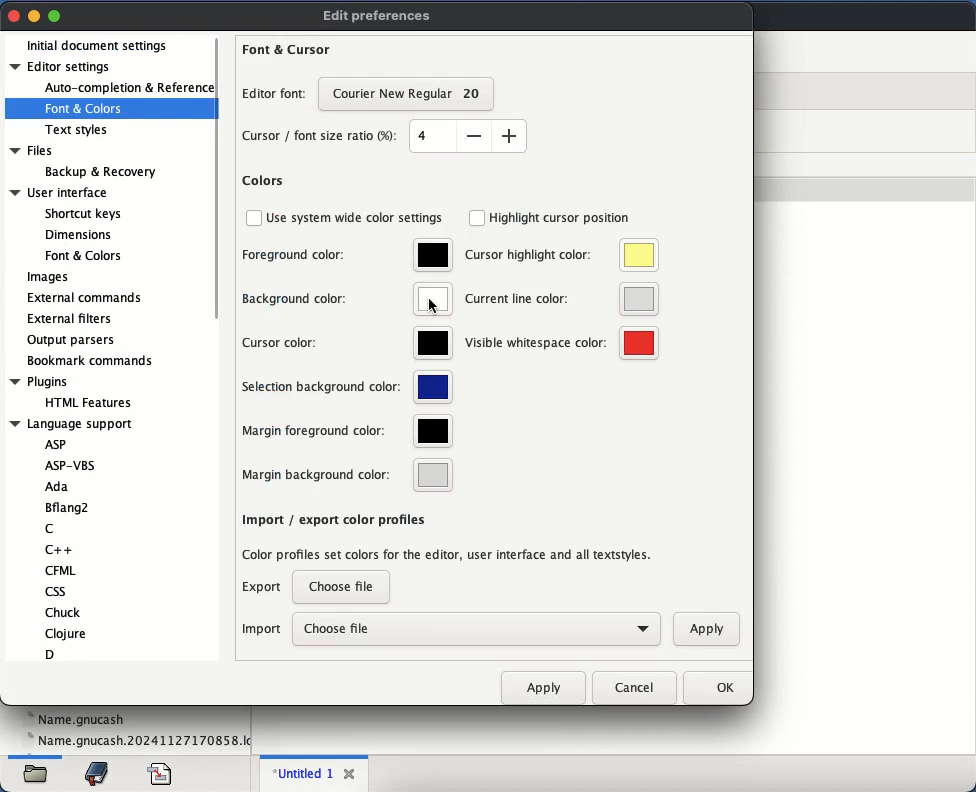 Image resolution: width=976 pixels, height=792 pixels. What do you see at coordinates (348, 257) in the screenshot?
I see `foreground color` at bounding box center [348, 257].